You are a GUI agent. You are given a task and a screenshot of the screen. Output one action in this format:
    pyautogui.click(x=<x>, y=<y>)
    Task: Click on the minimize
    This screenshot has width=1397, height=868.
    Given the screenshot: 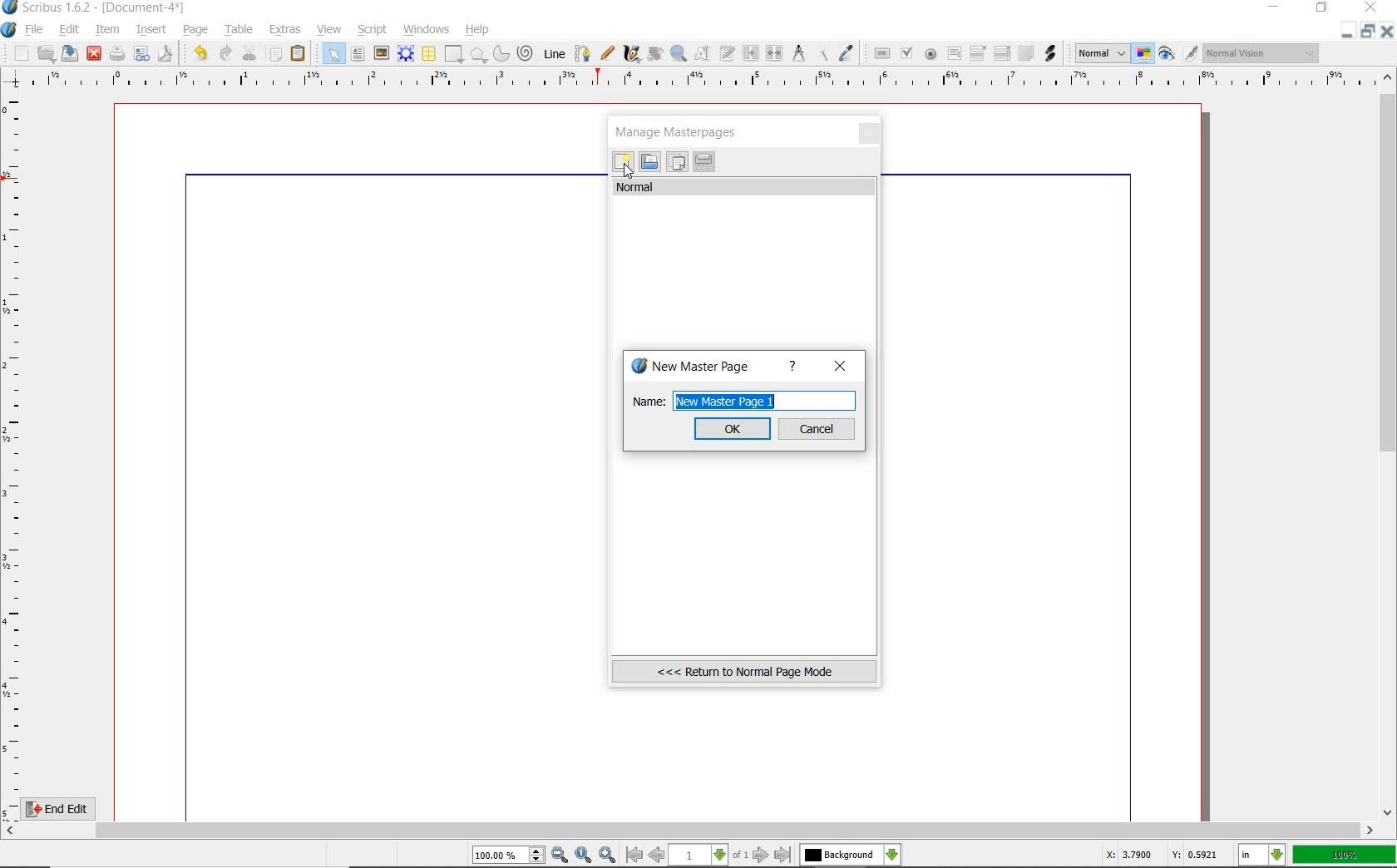 What is the action you would take?
    pyautogui.click(x=1276, y=8)
    